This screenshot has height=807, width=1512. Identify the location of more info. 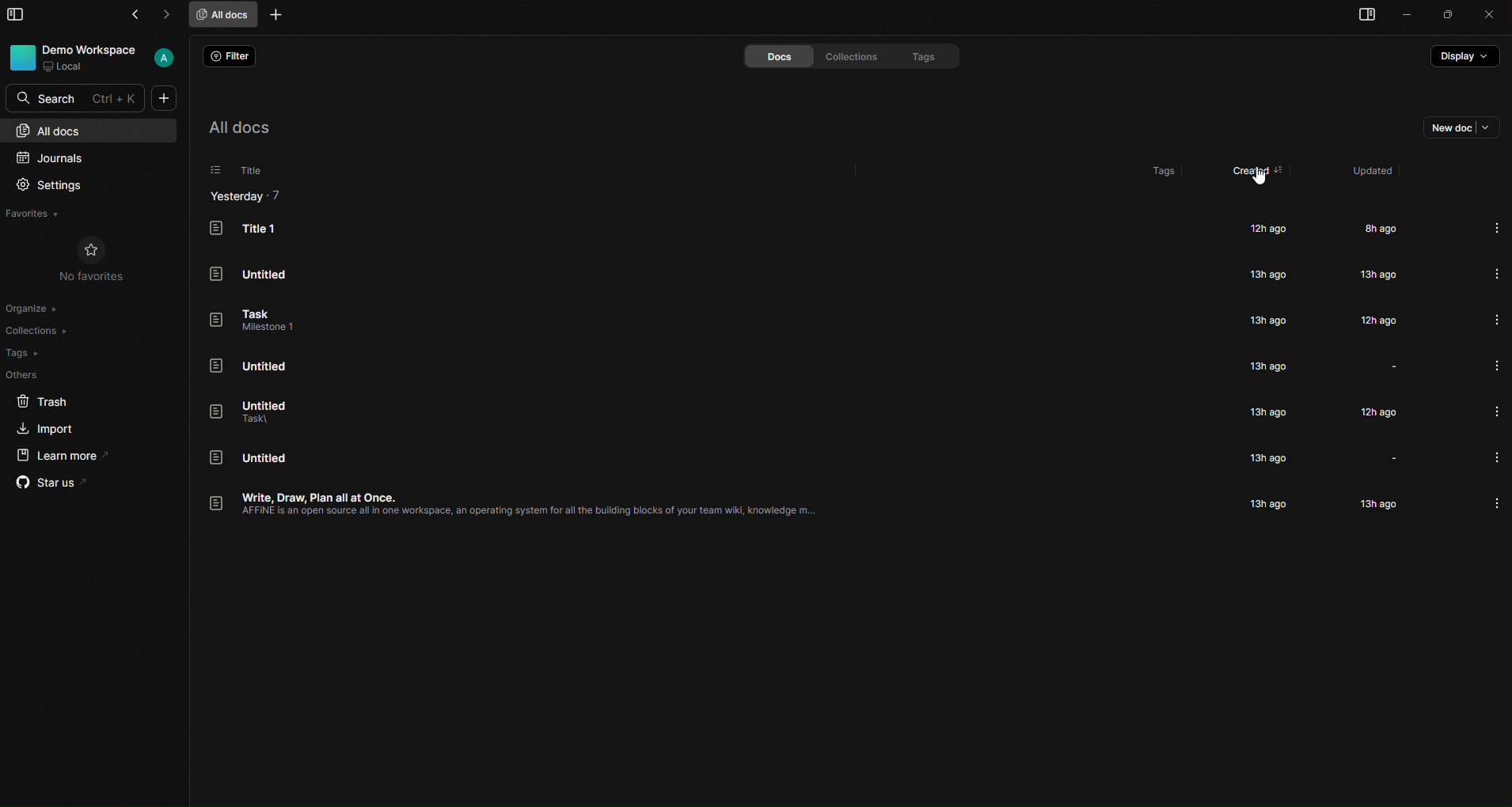
(1494, 363).